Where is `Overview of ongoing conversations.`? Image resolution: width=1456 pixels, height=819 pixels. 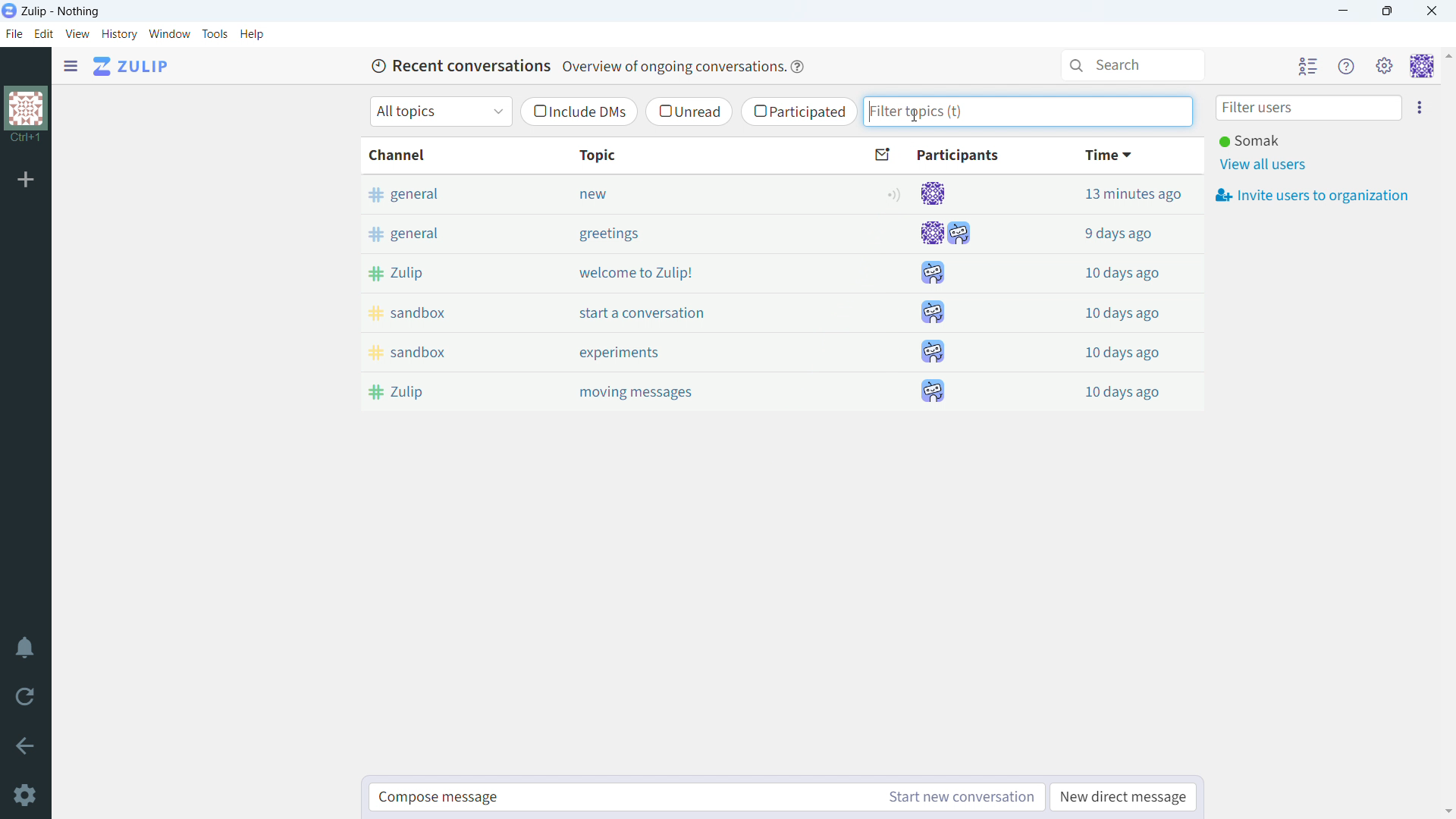 Overview of ongoing conversations. is located at coordinates (671, 67).